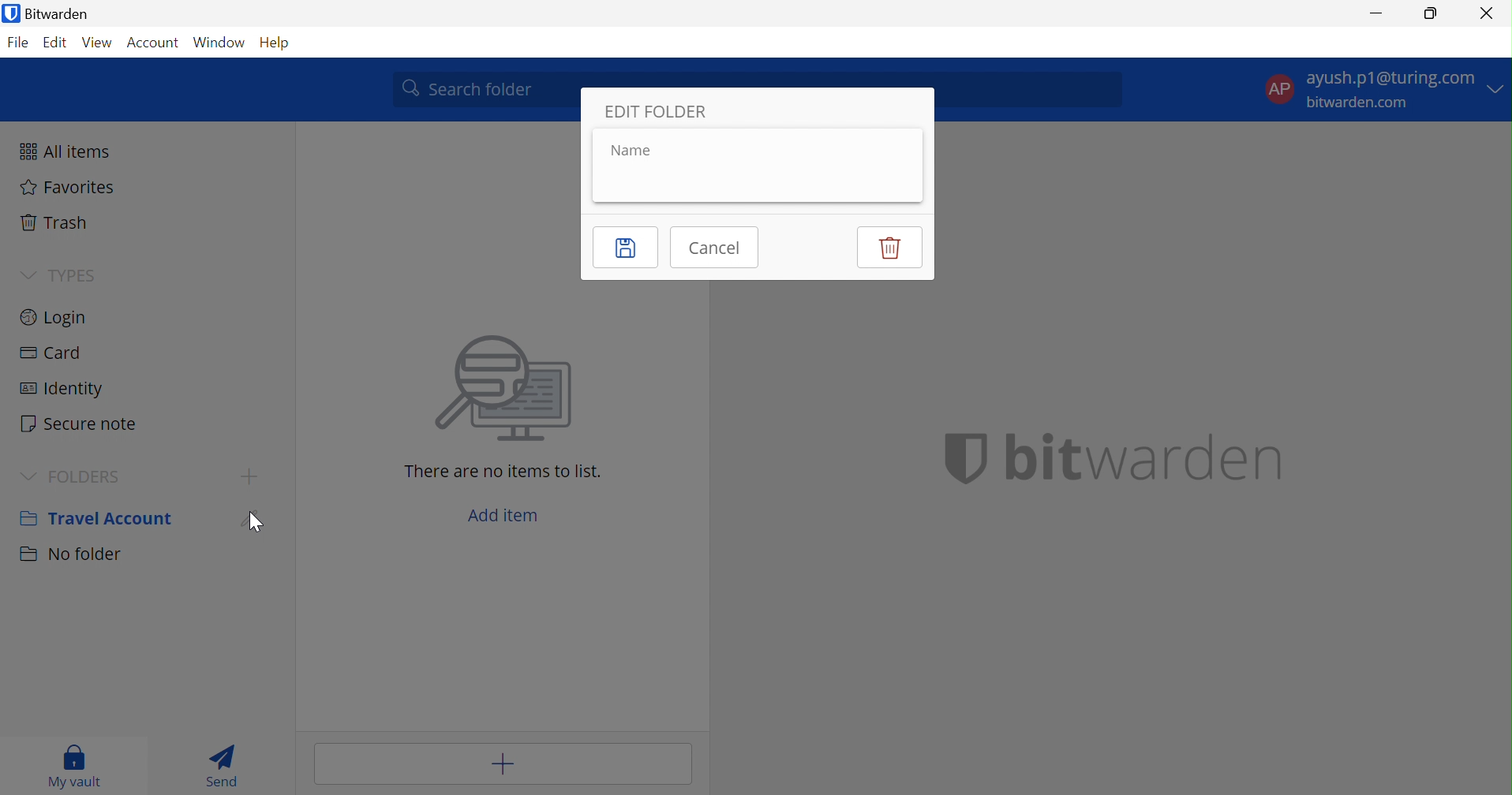  Describe the element at coordinates (501, 763) in the screenshot. I see `Add item` at that location.